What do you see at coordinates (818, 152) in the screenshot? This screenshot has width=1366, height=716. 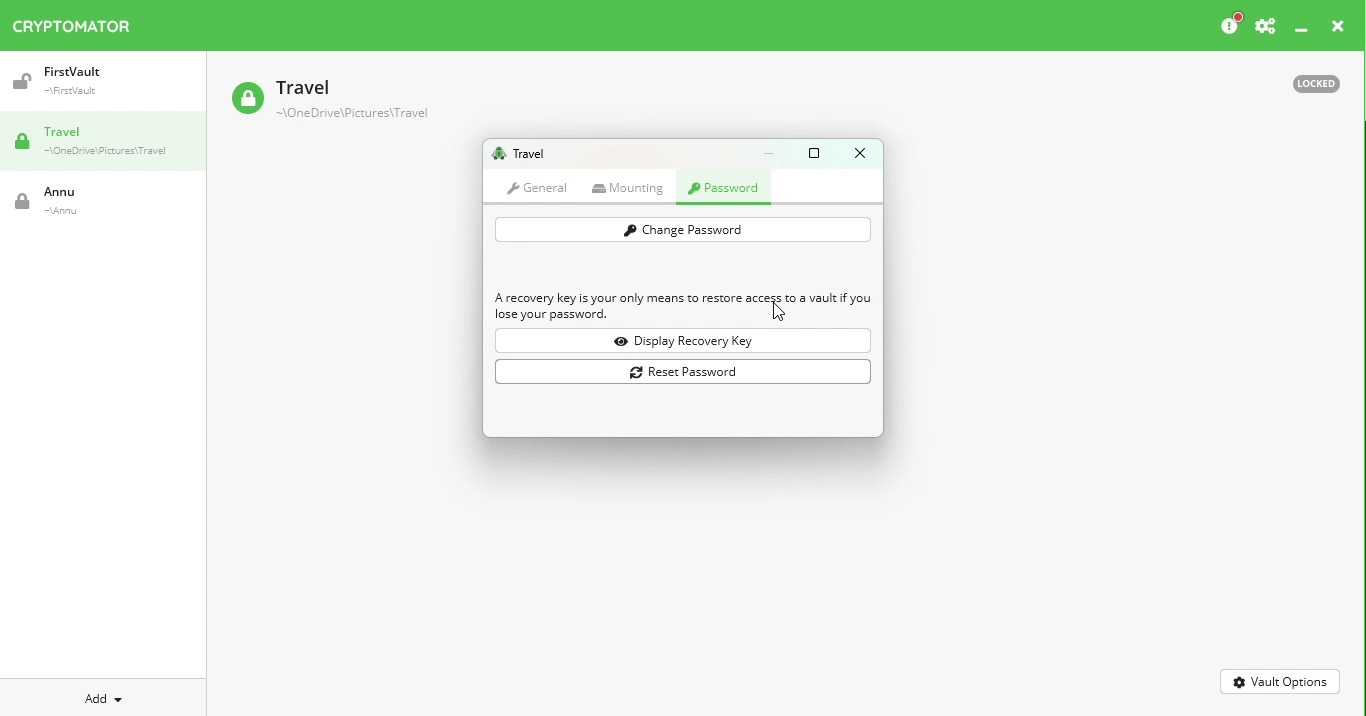 I see `Maximize` at bounding box center [818, 152].